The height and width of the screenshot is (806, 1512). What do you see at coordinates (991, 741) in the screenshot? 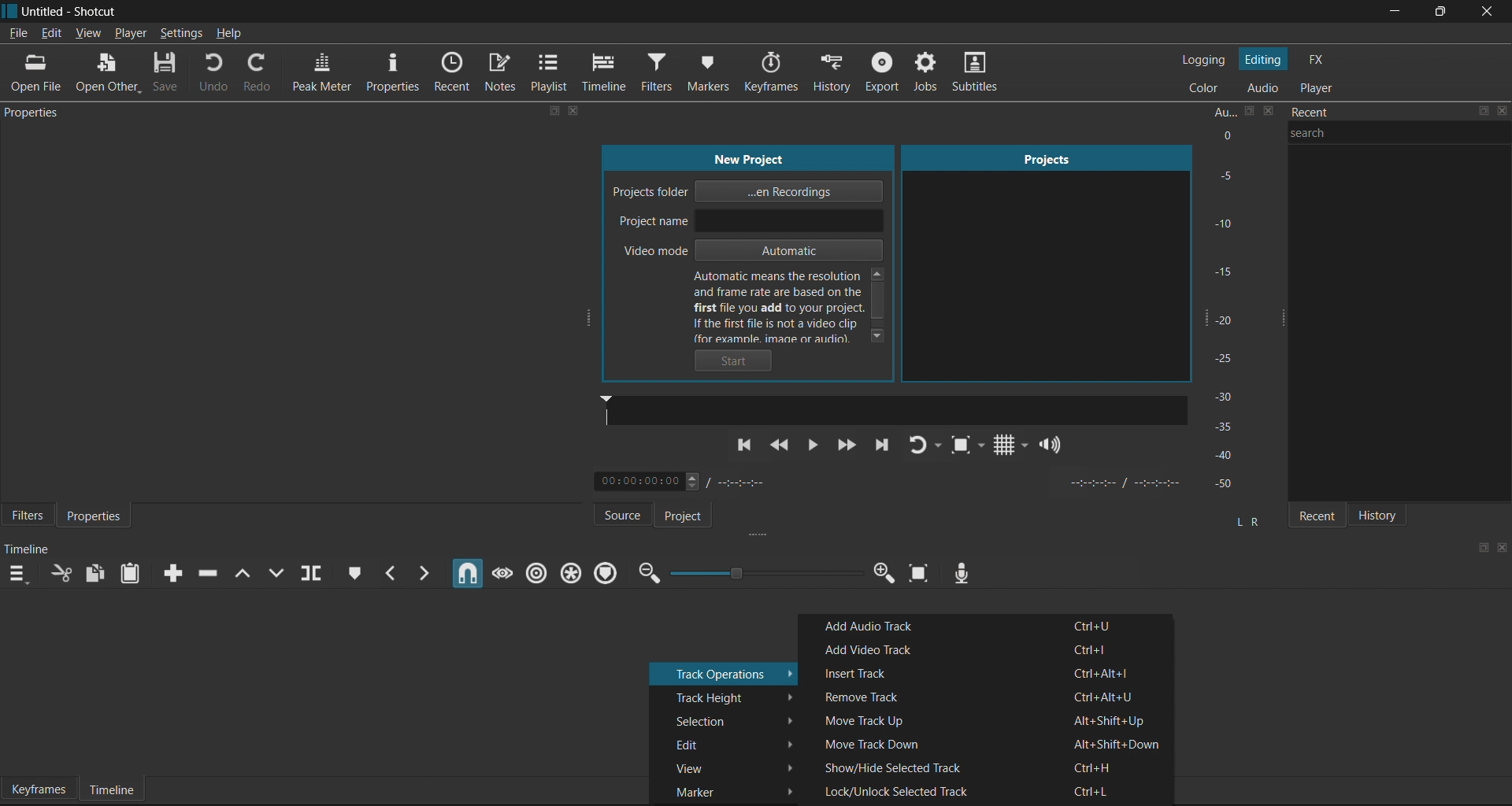
I see `Move Track Down` at bounding box center [991, 741].